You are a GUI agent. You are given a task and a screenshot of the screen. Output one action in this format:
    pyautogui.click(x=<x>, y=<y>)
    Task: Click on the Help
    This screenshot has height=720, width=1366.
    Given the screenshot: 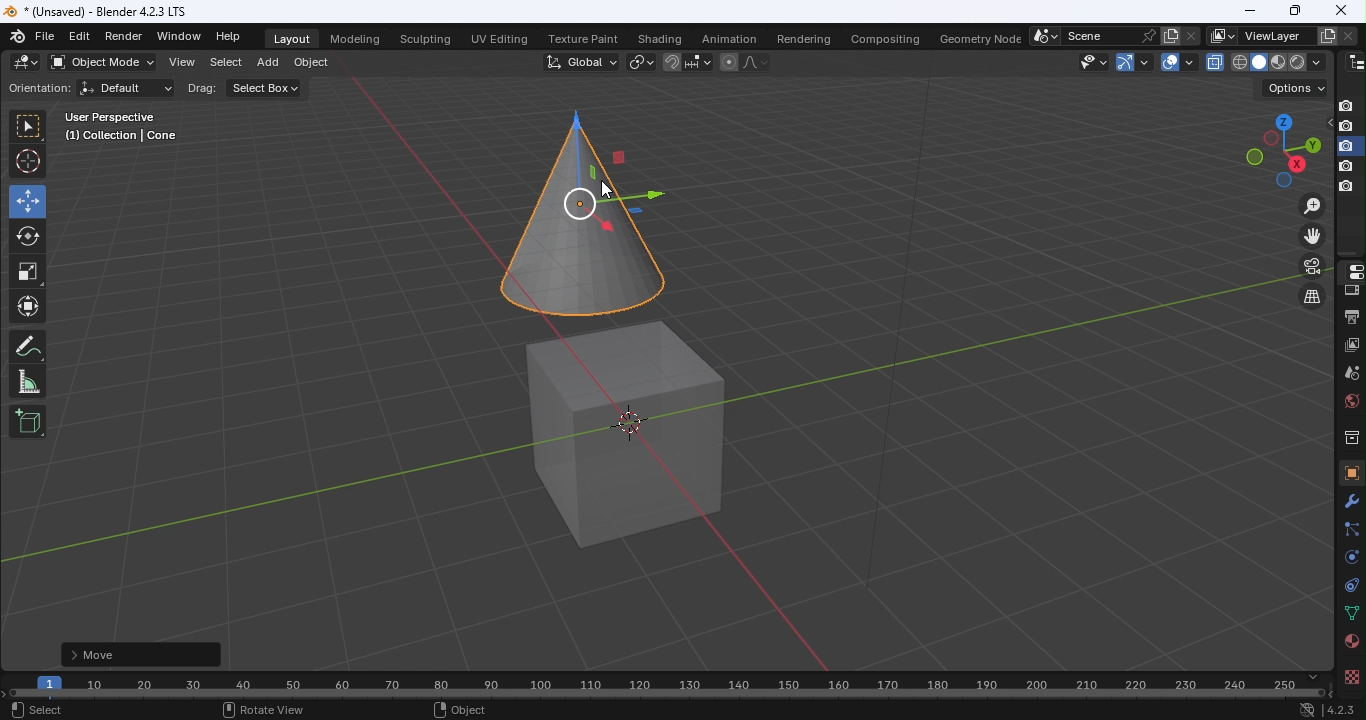 What is the action you would take?
    pyautogui.click(x=231, y=36)
    